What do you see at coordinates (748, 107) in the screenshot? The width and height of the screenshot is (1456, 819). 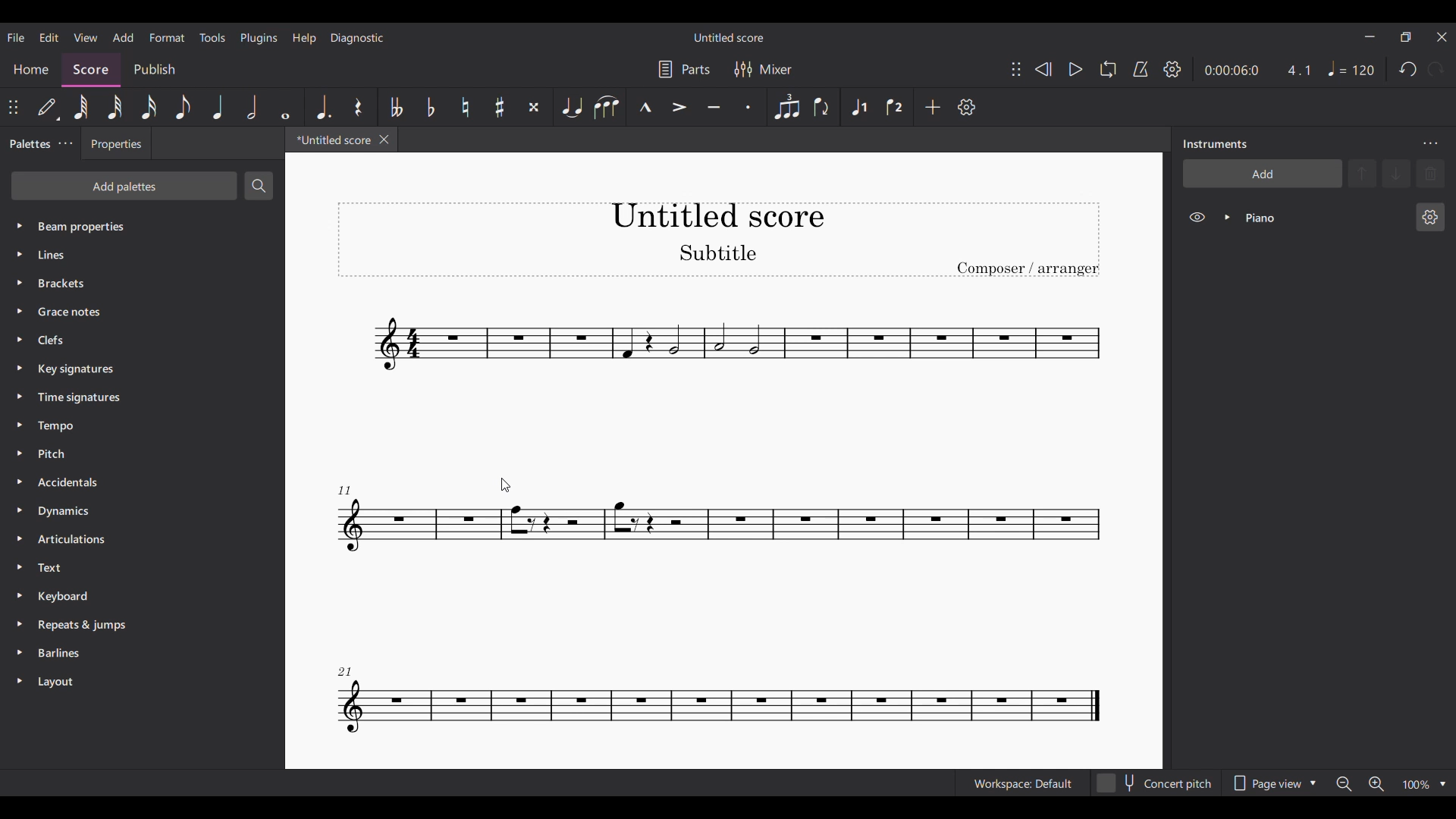 I see `Staccato` at bounding box center [748, 107].